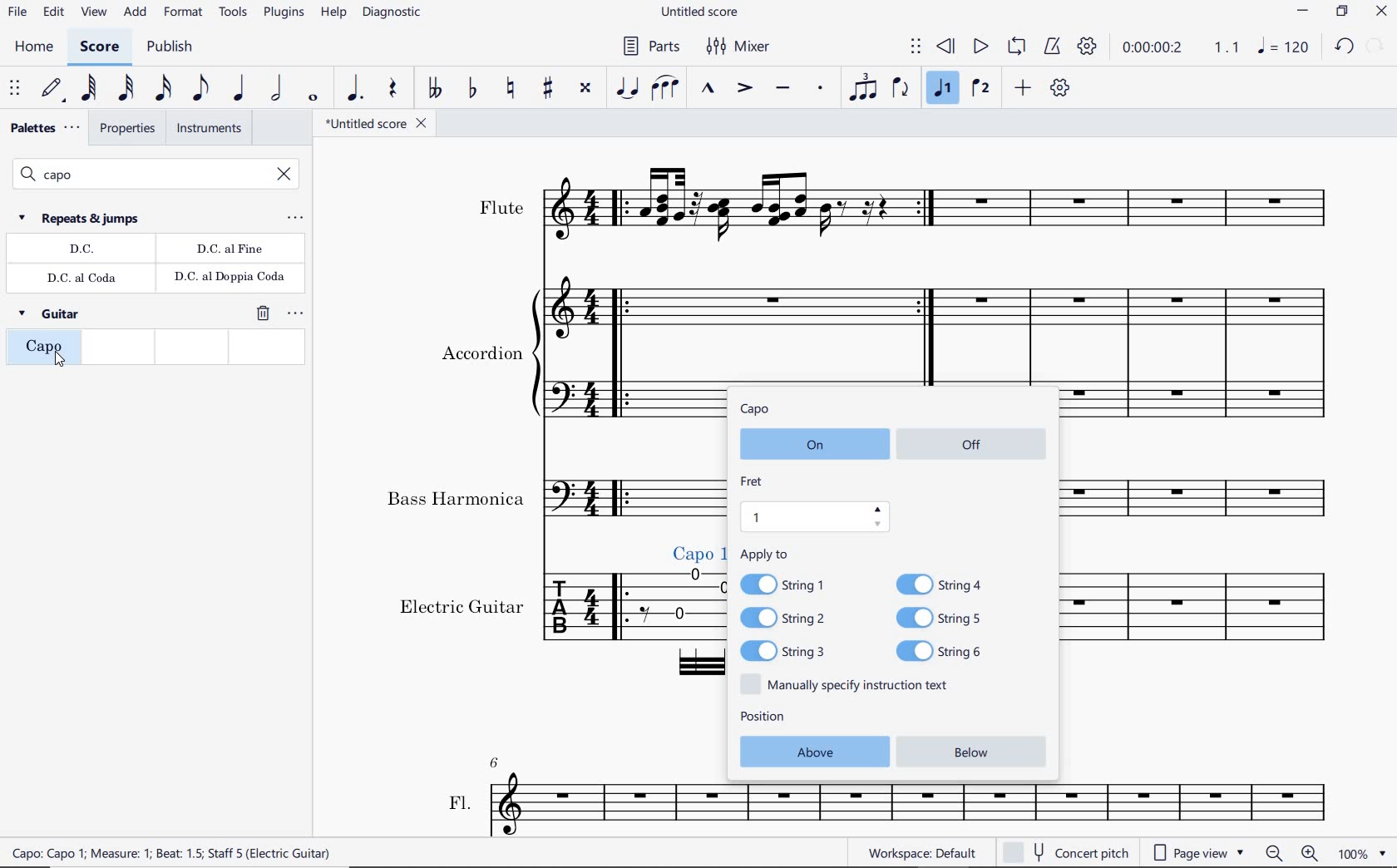  What do you see at coordinates (89, 89) in the screenshot?
I see `64th note` at bounding box center [89, 89].